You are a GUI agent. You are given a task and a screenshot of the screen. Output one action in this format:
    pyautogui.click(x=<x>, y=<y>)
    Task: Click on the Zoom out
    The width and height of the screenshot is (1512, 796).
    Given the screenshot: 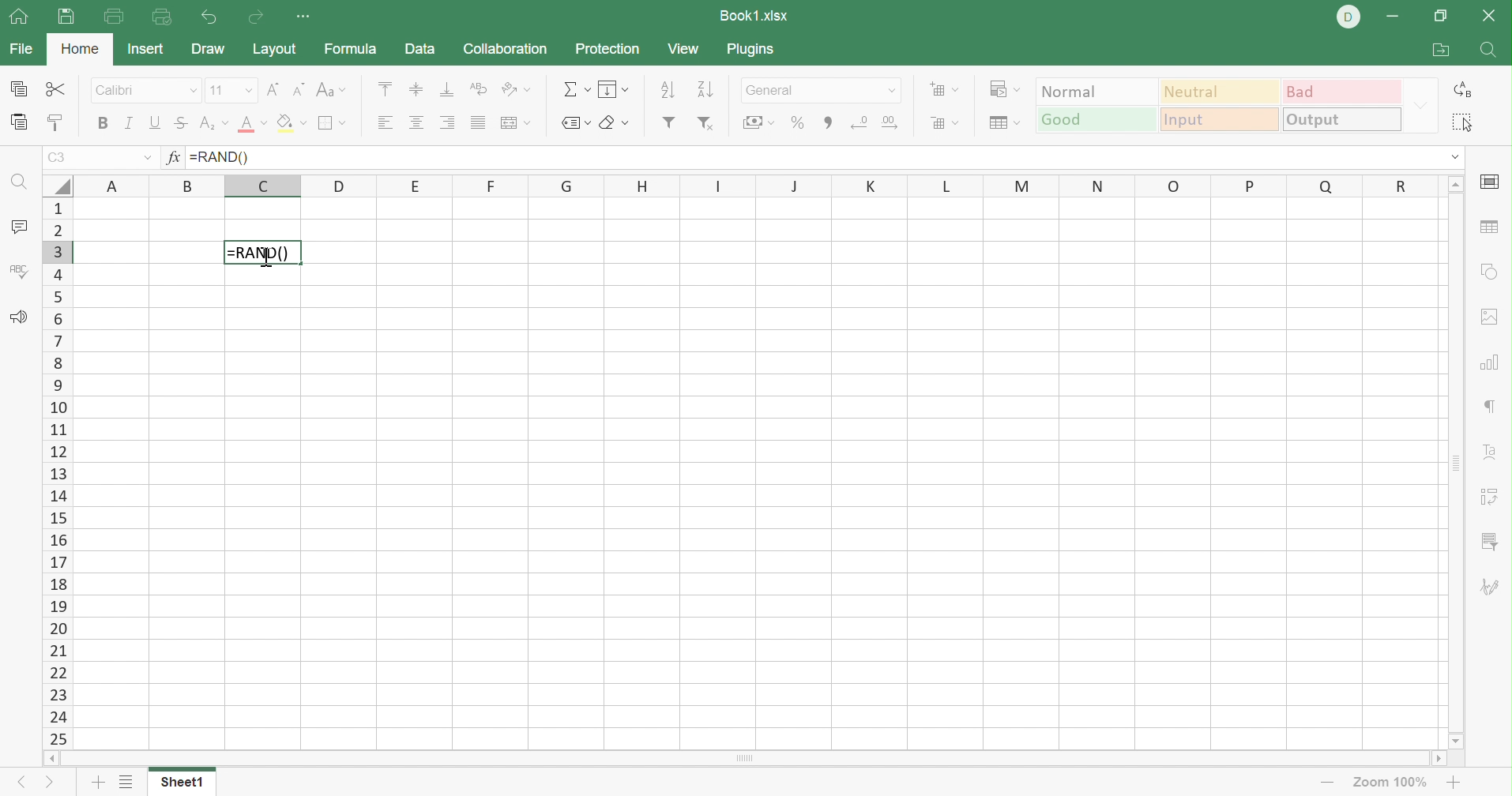 What is the action you would take?
    pyautogui.click(x=1327, y=785)
    